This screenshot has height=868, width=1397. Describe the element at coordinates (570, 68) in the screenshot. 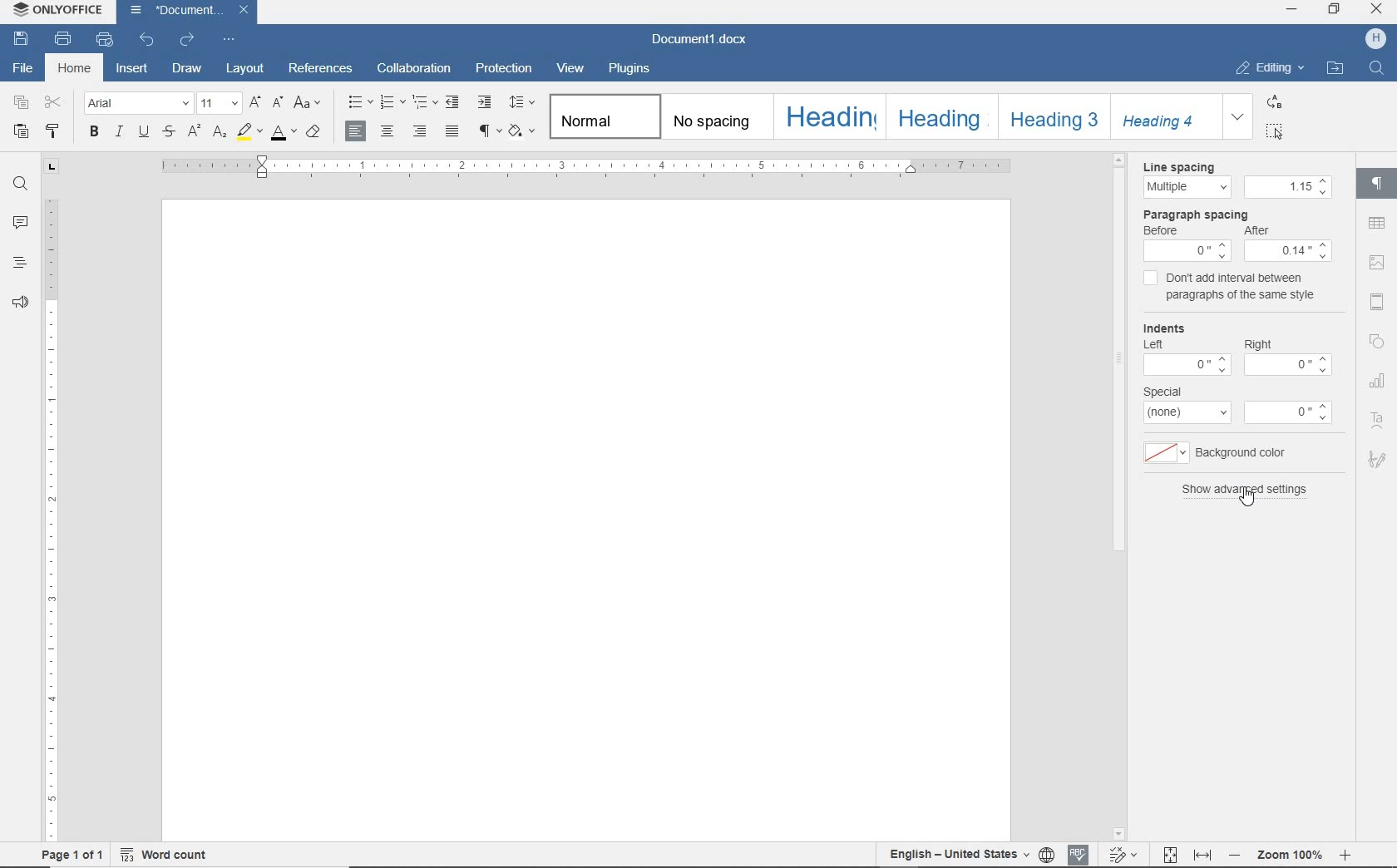

I see `view` at that location.